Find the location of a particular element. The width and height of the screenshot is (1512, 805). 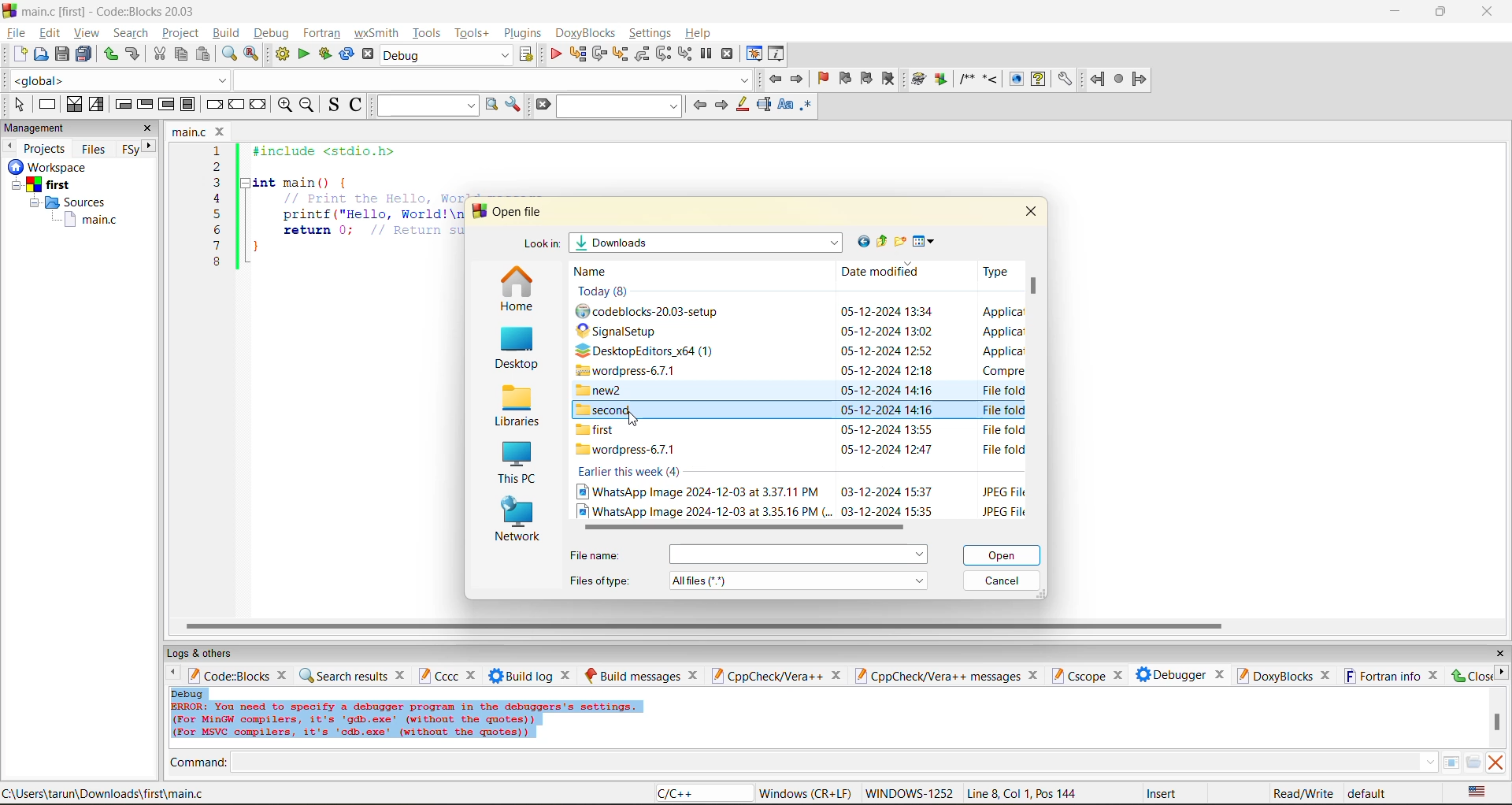

build is located at coordinates (919, 80).